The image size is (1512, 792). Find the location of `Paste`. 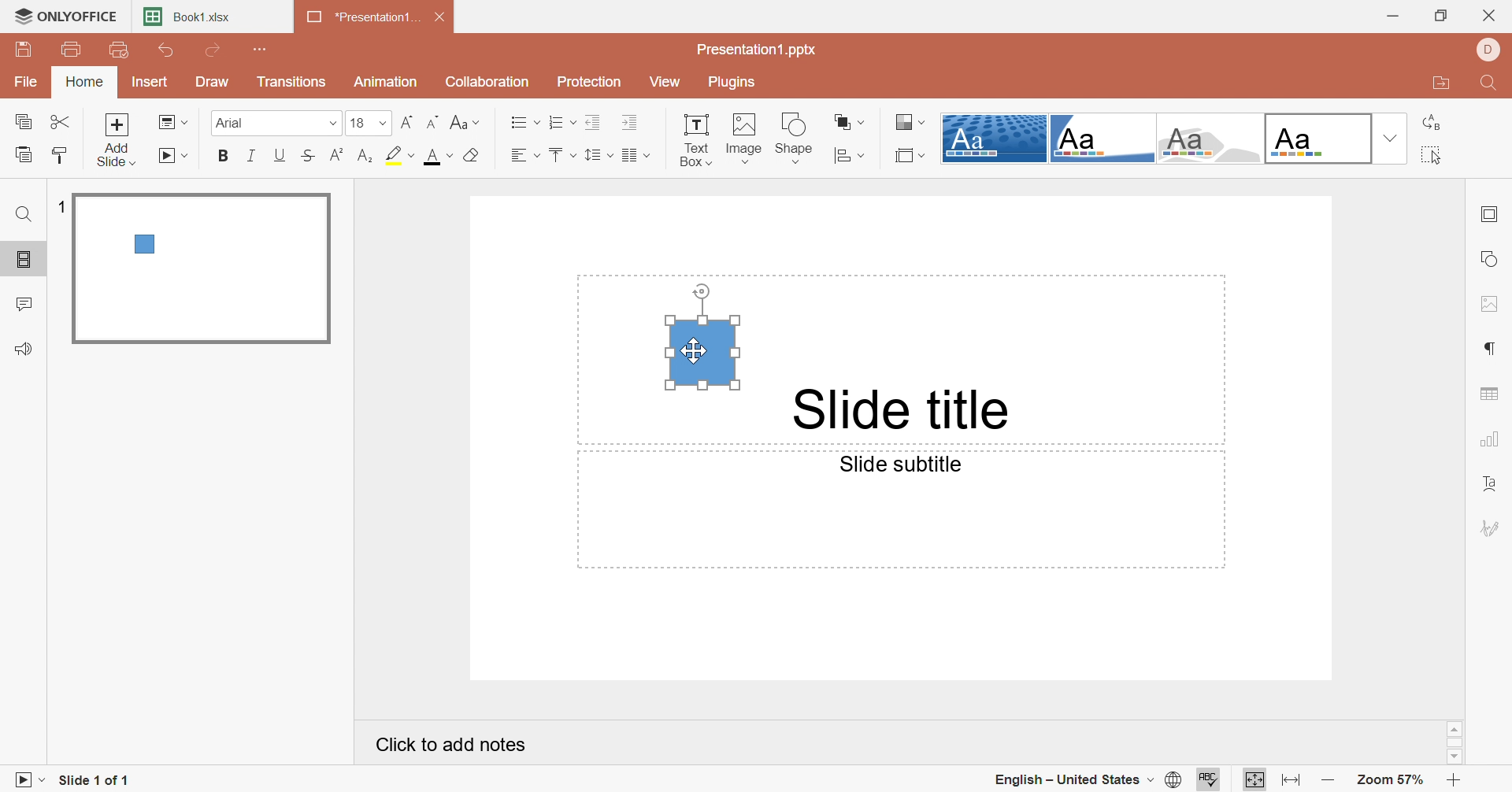

Paste is located at coordinates (23, 156).